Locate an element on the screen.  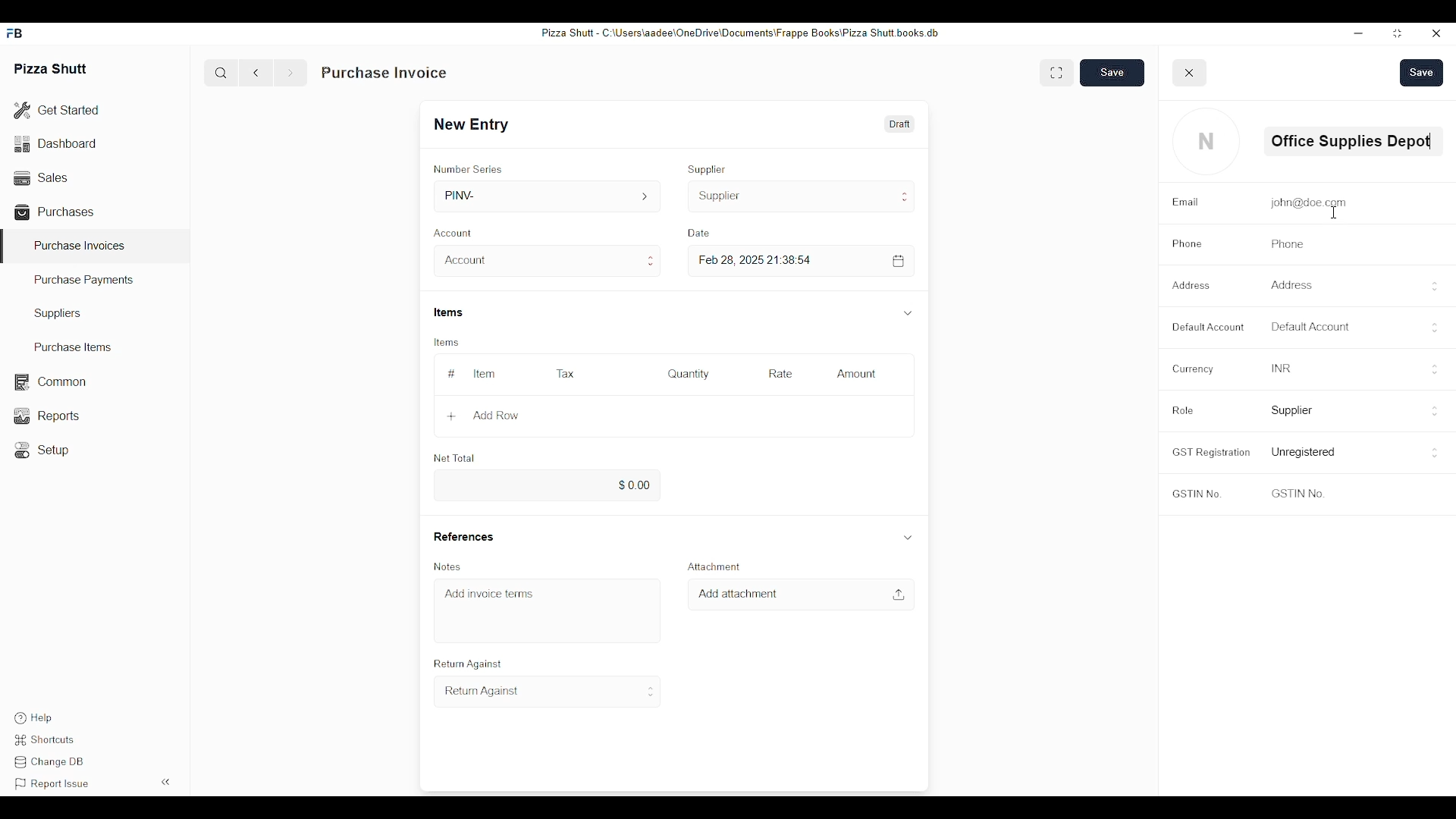
Rate is located at coordinates (780, 374).